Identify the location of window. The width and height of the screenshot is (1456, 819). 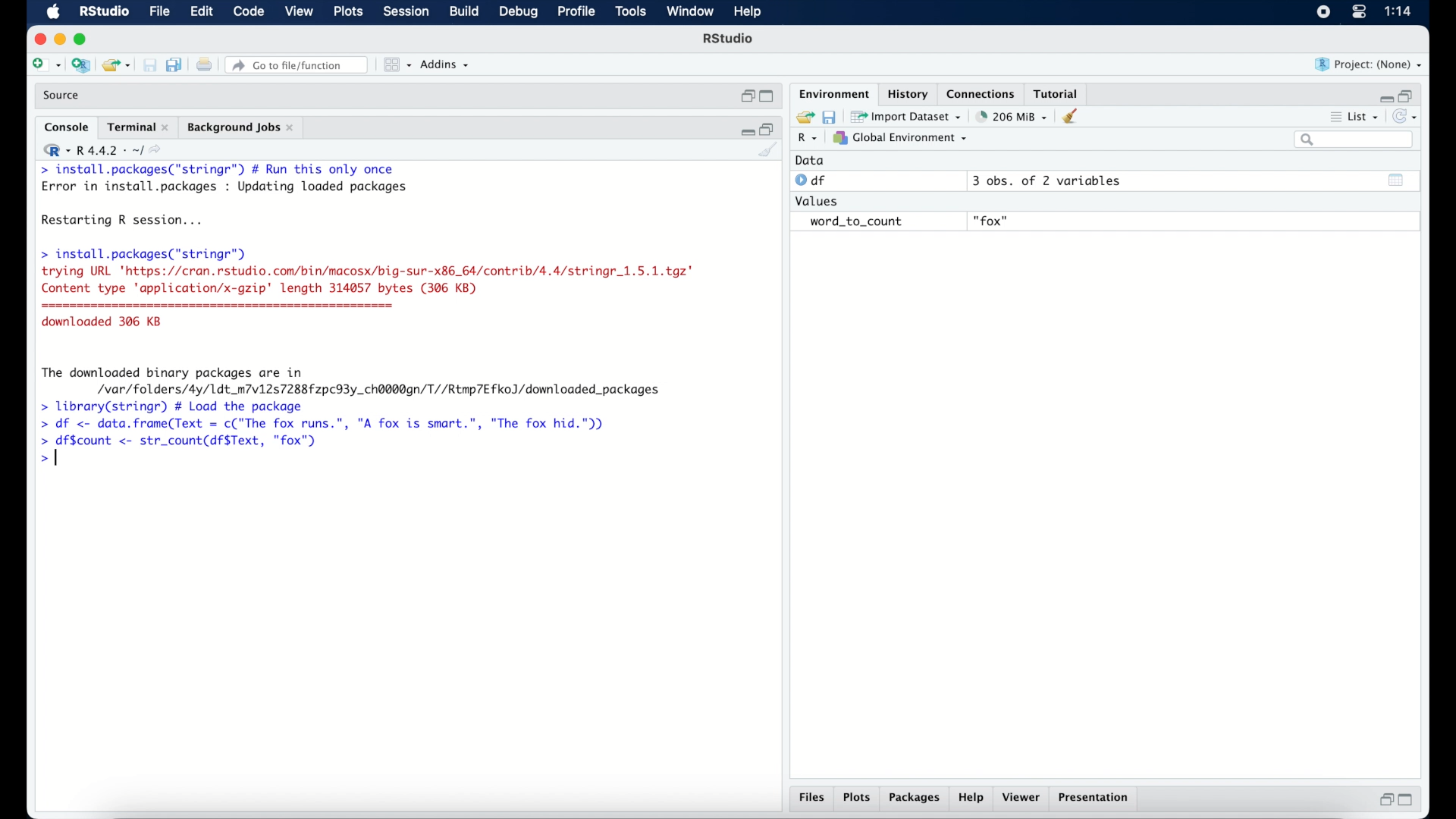
(690, 12).